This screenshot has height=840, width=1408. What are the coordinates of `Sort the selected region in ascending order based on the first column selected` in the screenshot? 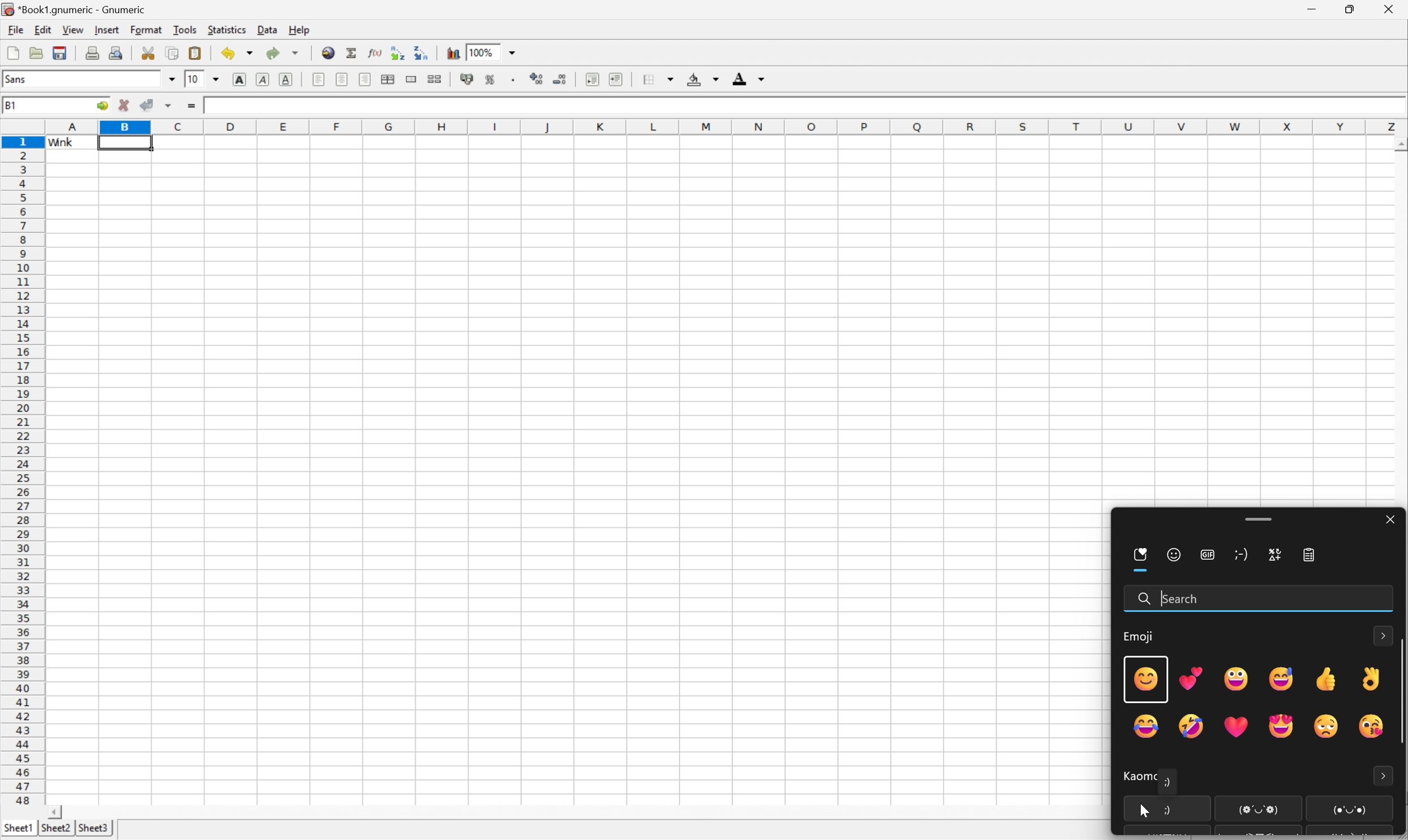 It's located at (399, 52).